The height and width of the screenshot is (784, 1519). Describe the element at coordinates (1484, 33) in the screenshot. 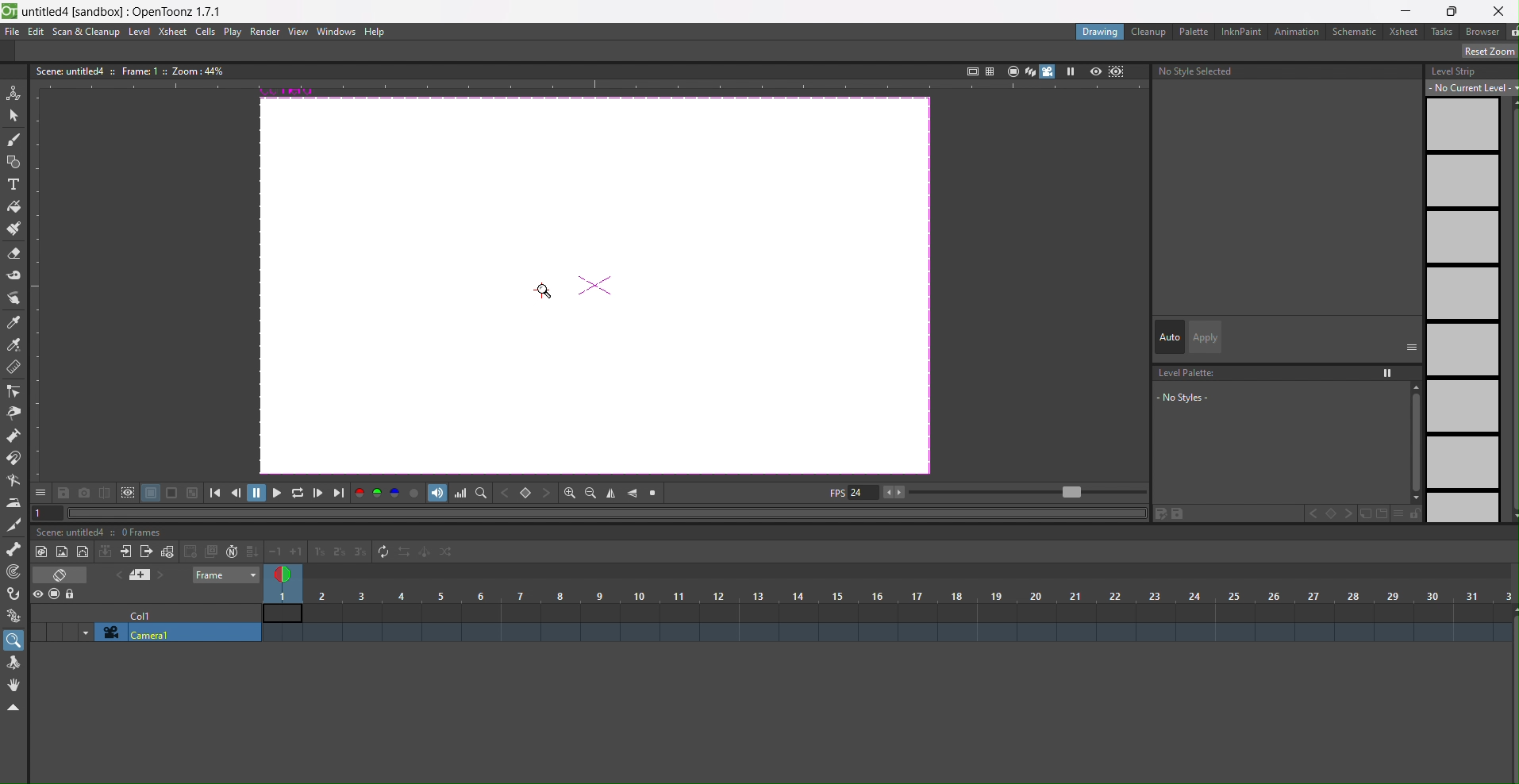

I see `browser` at that location.